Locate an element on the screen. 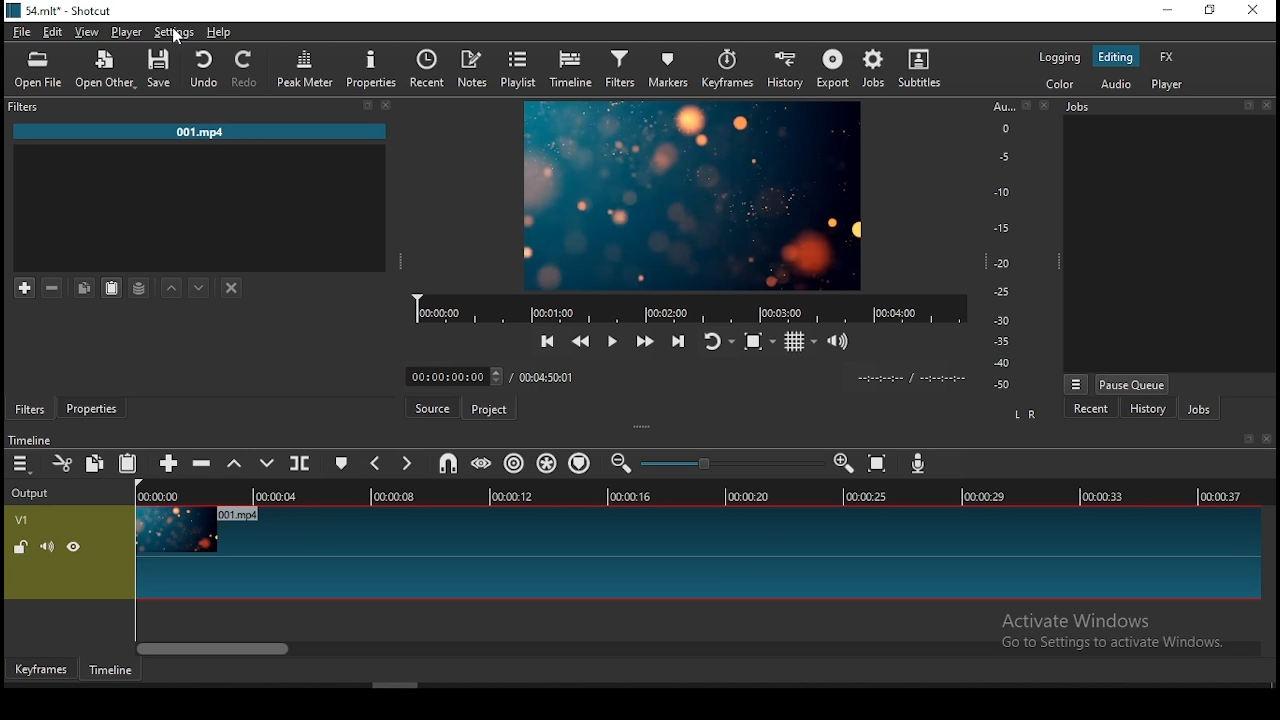 Image resolution: width=1280 pixels, height=720 pixels. 00:00:20 is located at coordinates (746, 495).